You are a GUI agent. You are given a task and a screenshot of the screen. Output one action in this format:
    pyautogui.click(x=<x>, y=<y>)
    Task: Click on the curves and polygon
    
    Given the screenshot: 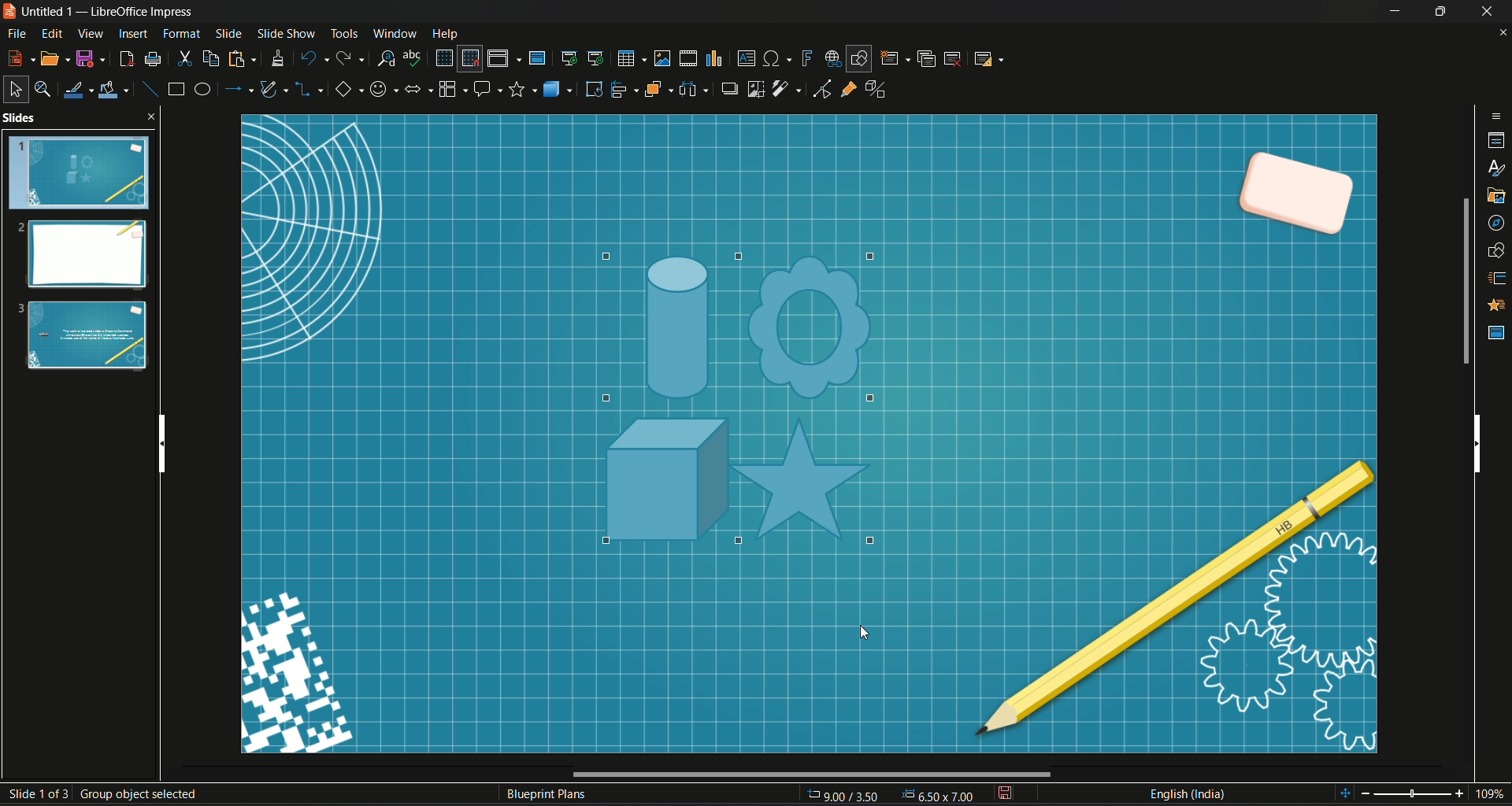 What is the action you would take?
    pyautogui.click(x=276, y=90)
    